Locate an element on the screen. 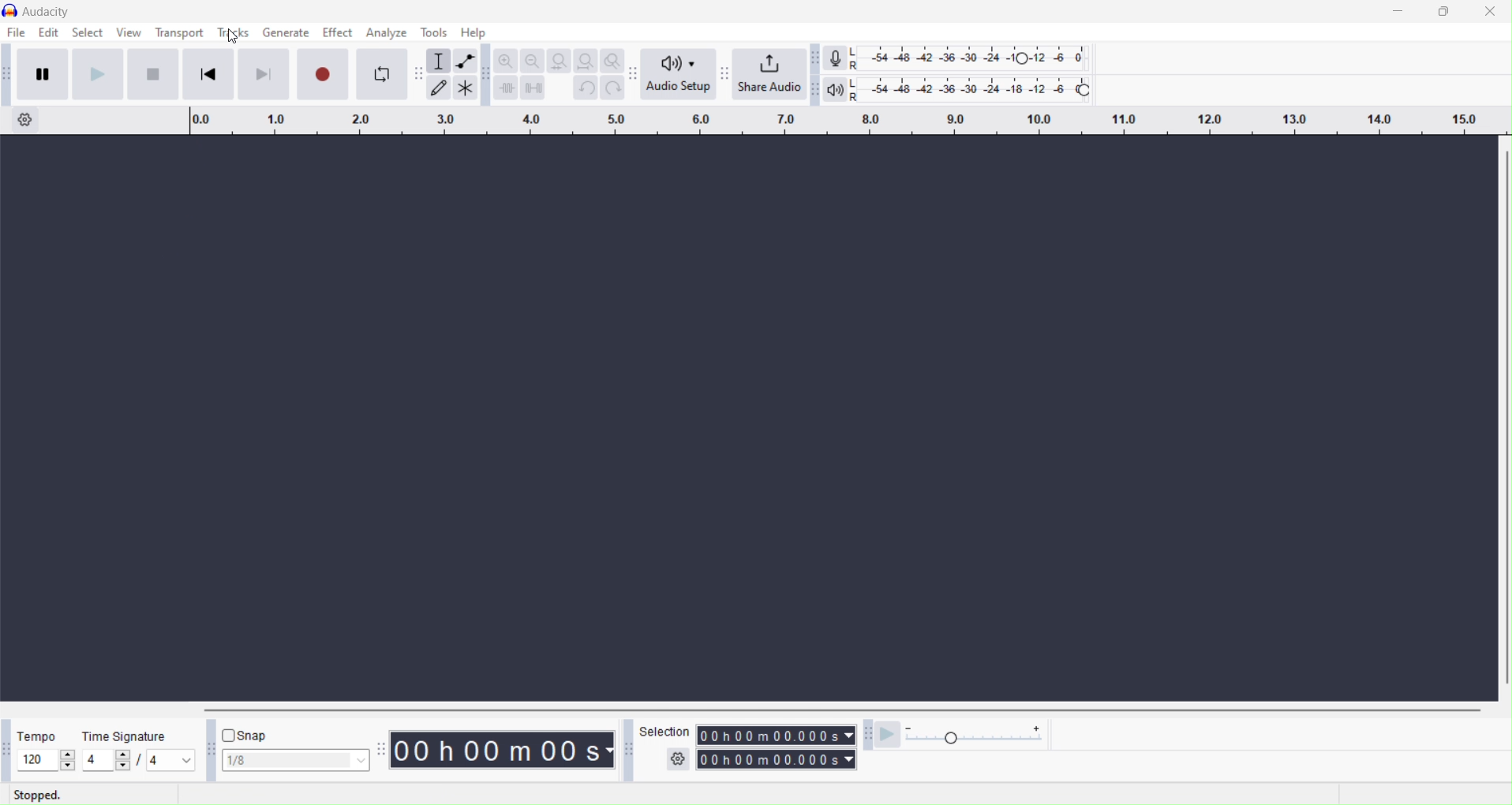 This screenshot has height=805, width=1512. Timing of track is located at coordinates (776, 734).